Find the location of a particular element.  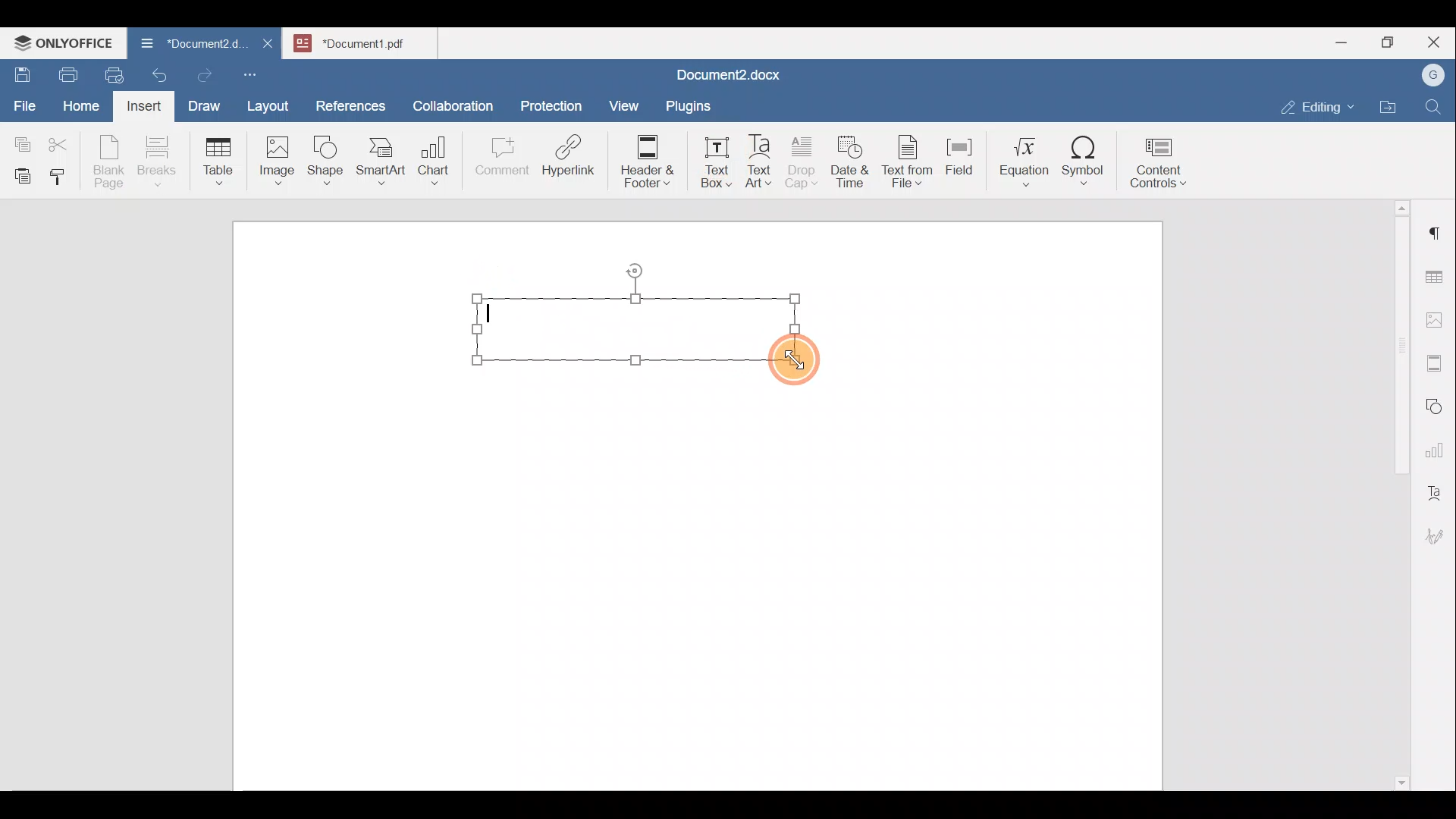

Cursor is located at coordinates (781, 353).